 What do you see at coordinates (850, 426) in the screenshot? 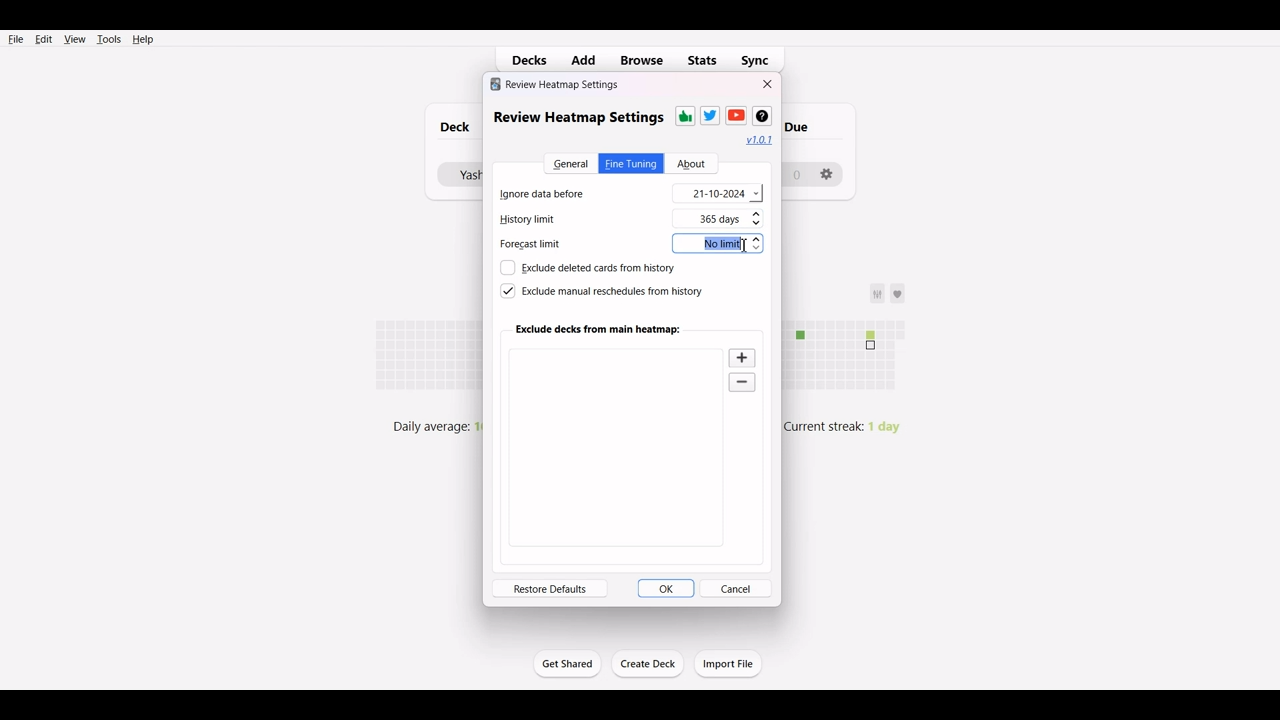
I see `Current streak: 1 day` at bounding box center [850, 426].